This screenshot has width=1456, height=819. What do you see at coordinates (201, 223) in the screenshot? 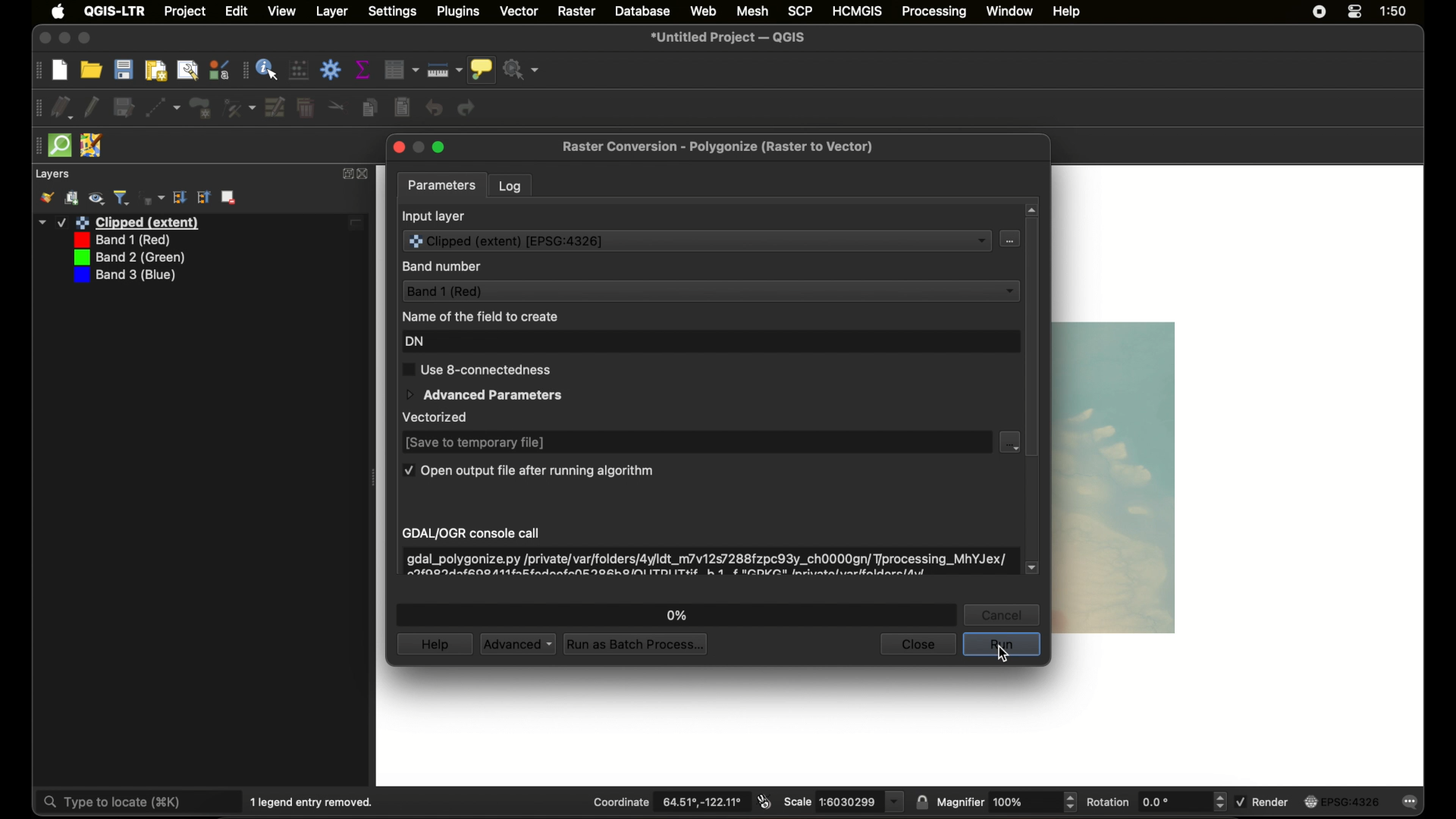
I see `layer 1 edited` at bounding box center [201, 223].